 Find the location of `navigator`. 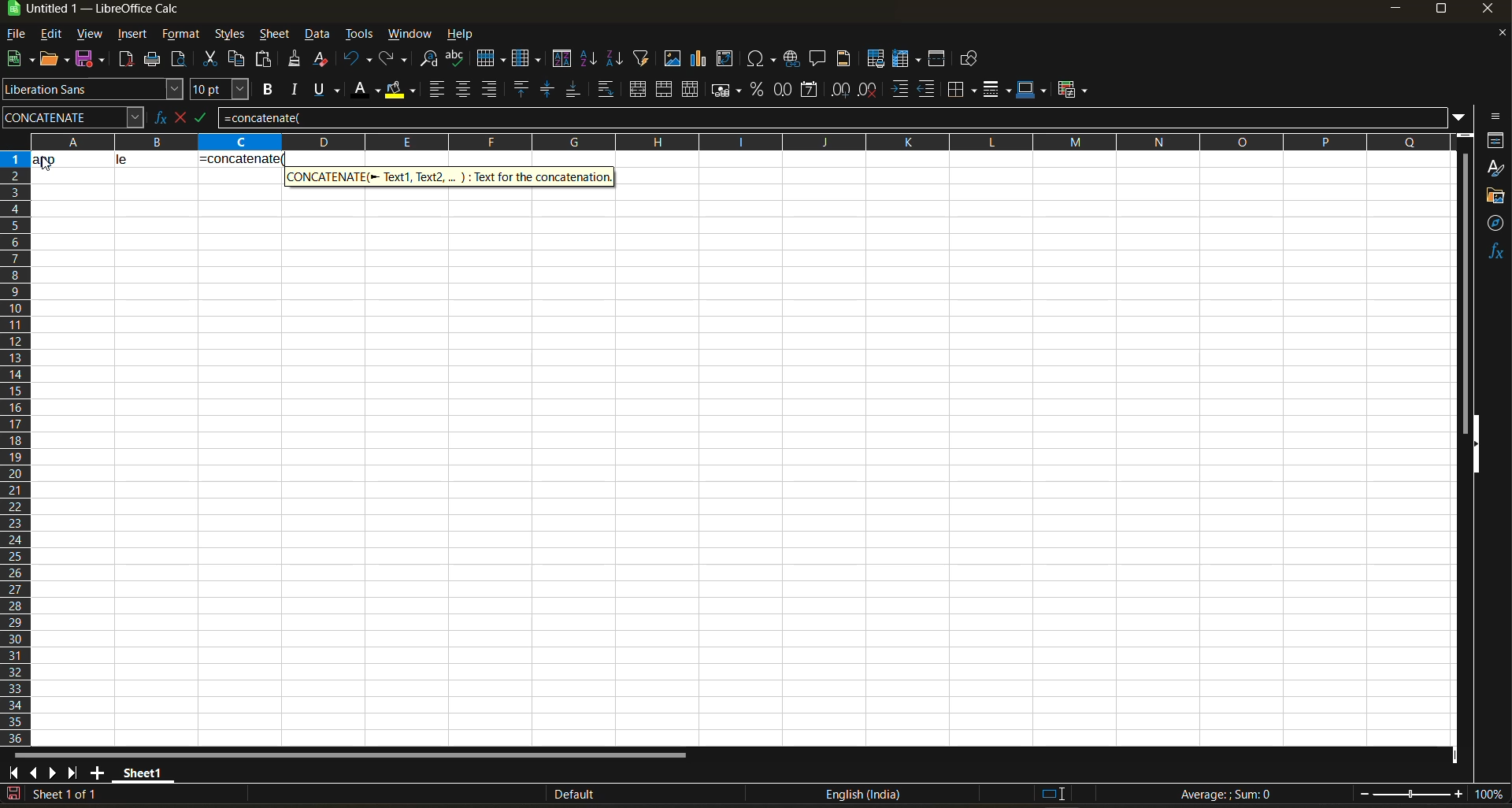

navigator is located at coordinates (1496, 223).